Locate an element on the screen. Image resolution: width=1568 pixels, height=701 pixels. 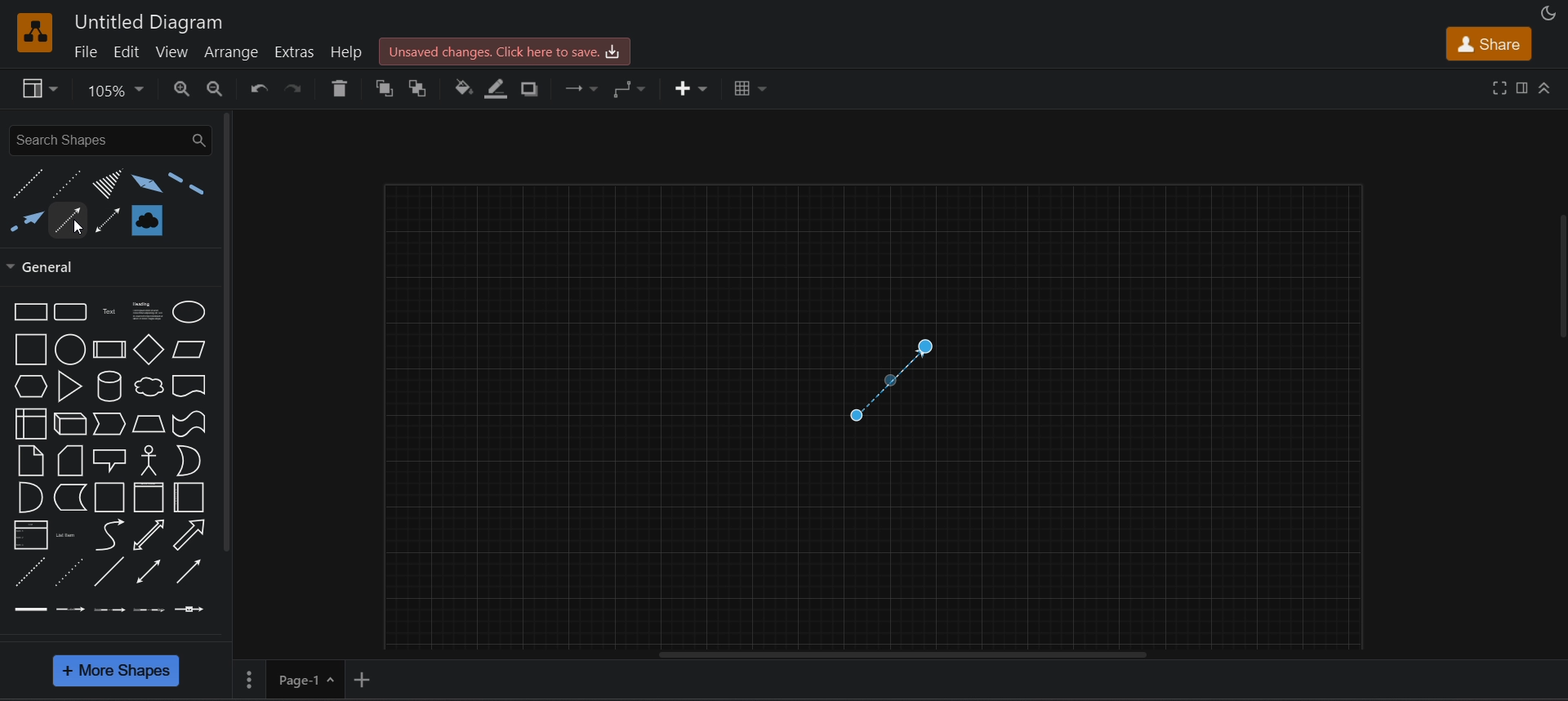
rectangle is located at coordinates (28, 311).